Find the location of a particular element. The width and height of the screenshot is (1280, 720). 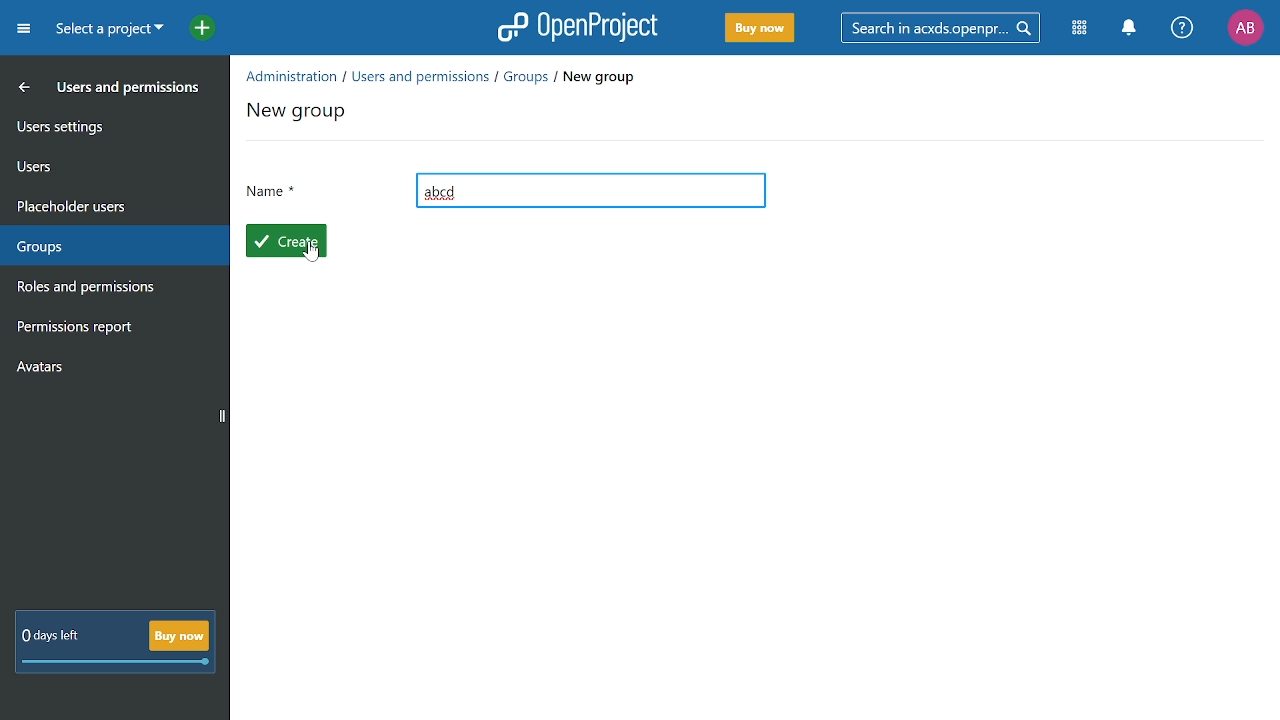

Subscription information is located at coordinates (48, 637).